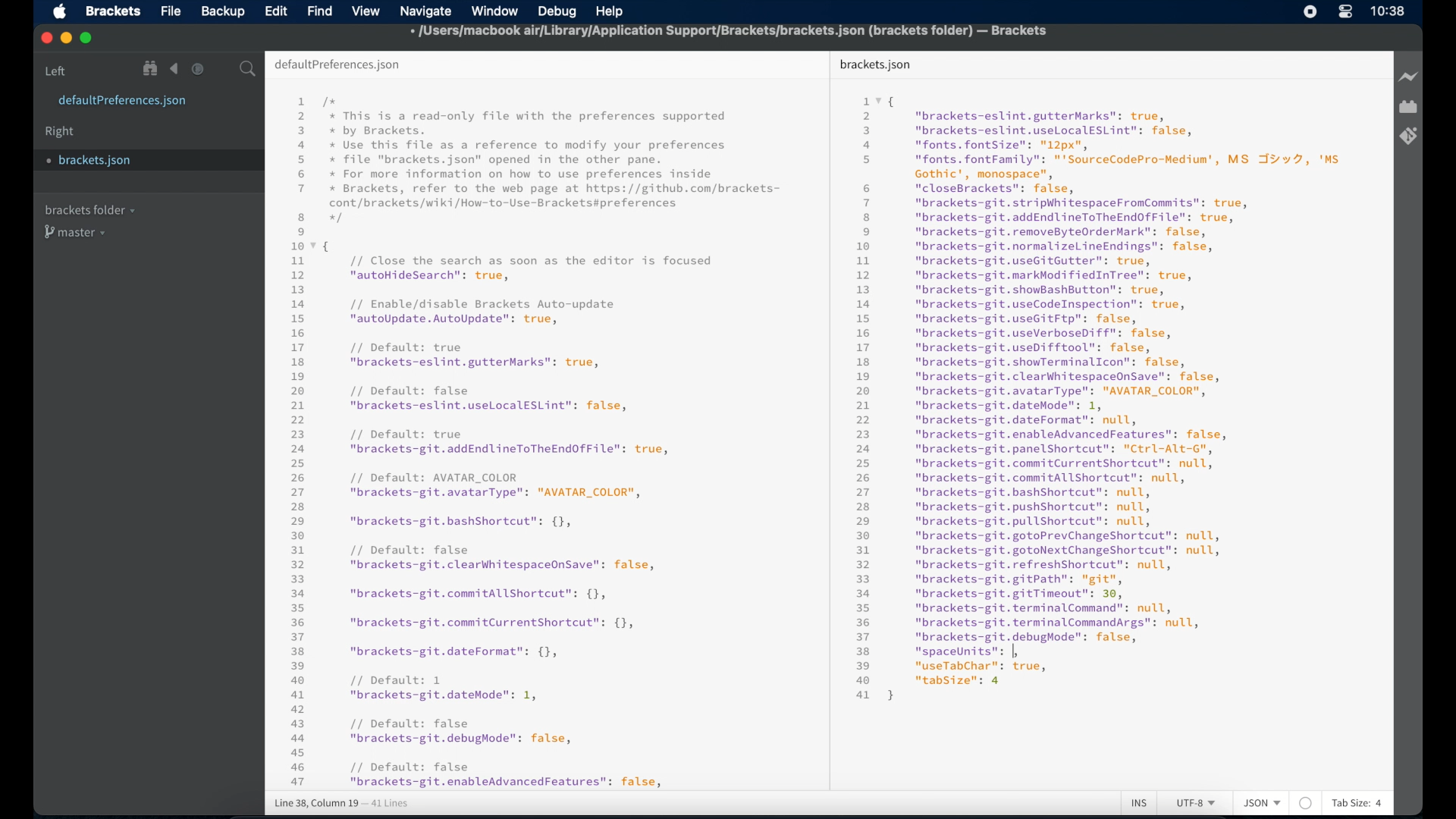 The width and height of the screenshot is (1456, 819). I want to click on json, so click(1263, 802).